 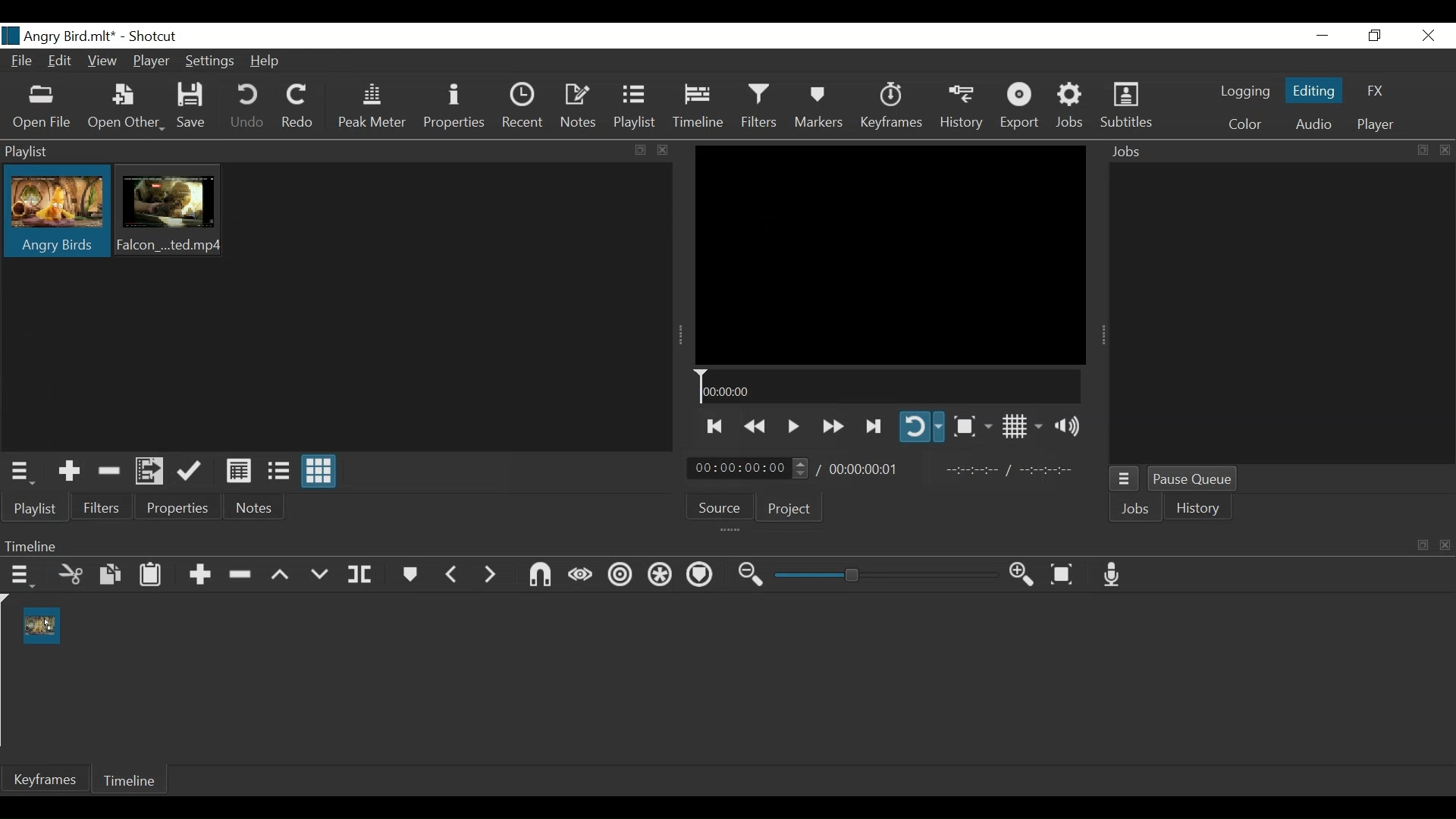 What do you see at coordinates (110, 471) in the screenshot?
I see `Remove cut` at bounding box center [110, 471].